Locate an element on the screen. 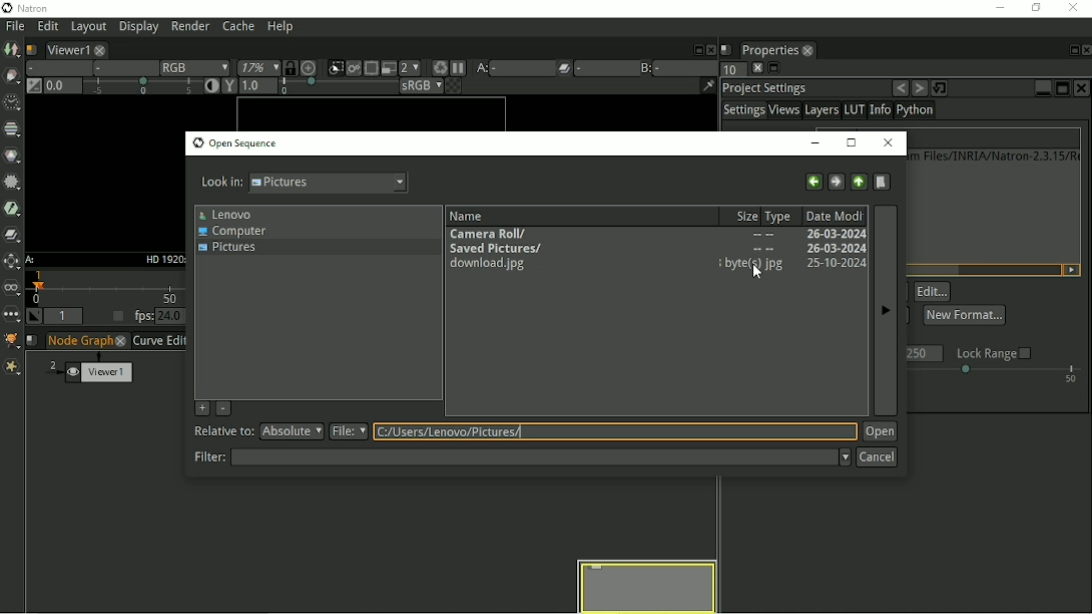 This screenshot has height=614, width=1092. Auto contrast is located at coordinates (207, 87).